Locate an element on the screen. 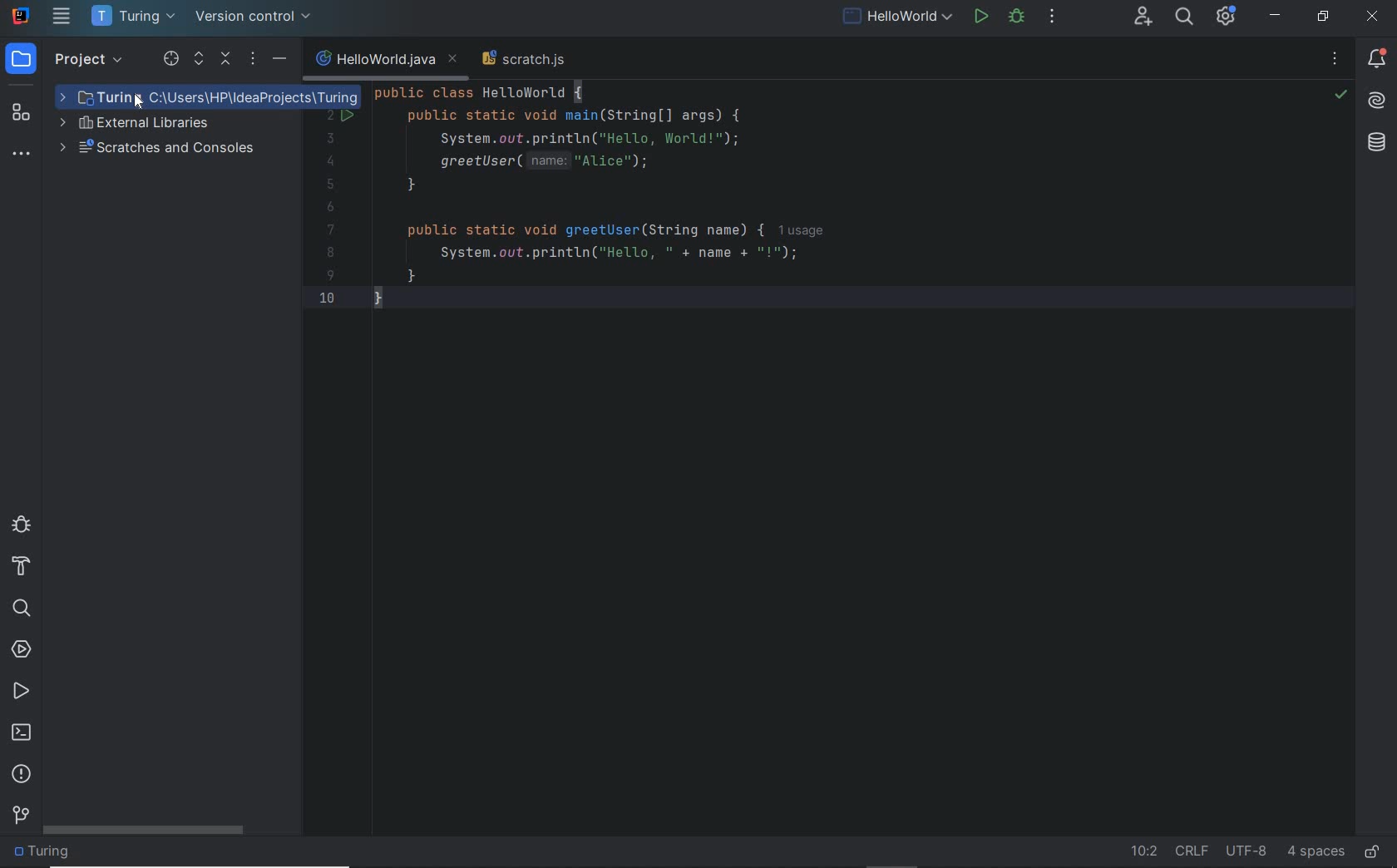 The height and width of the screenshot is (868, 1397). codes is located at coordinates (602, 210).